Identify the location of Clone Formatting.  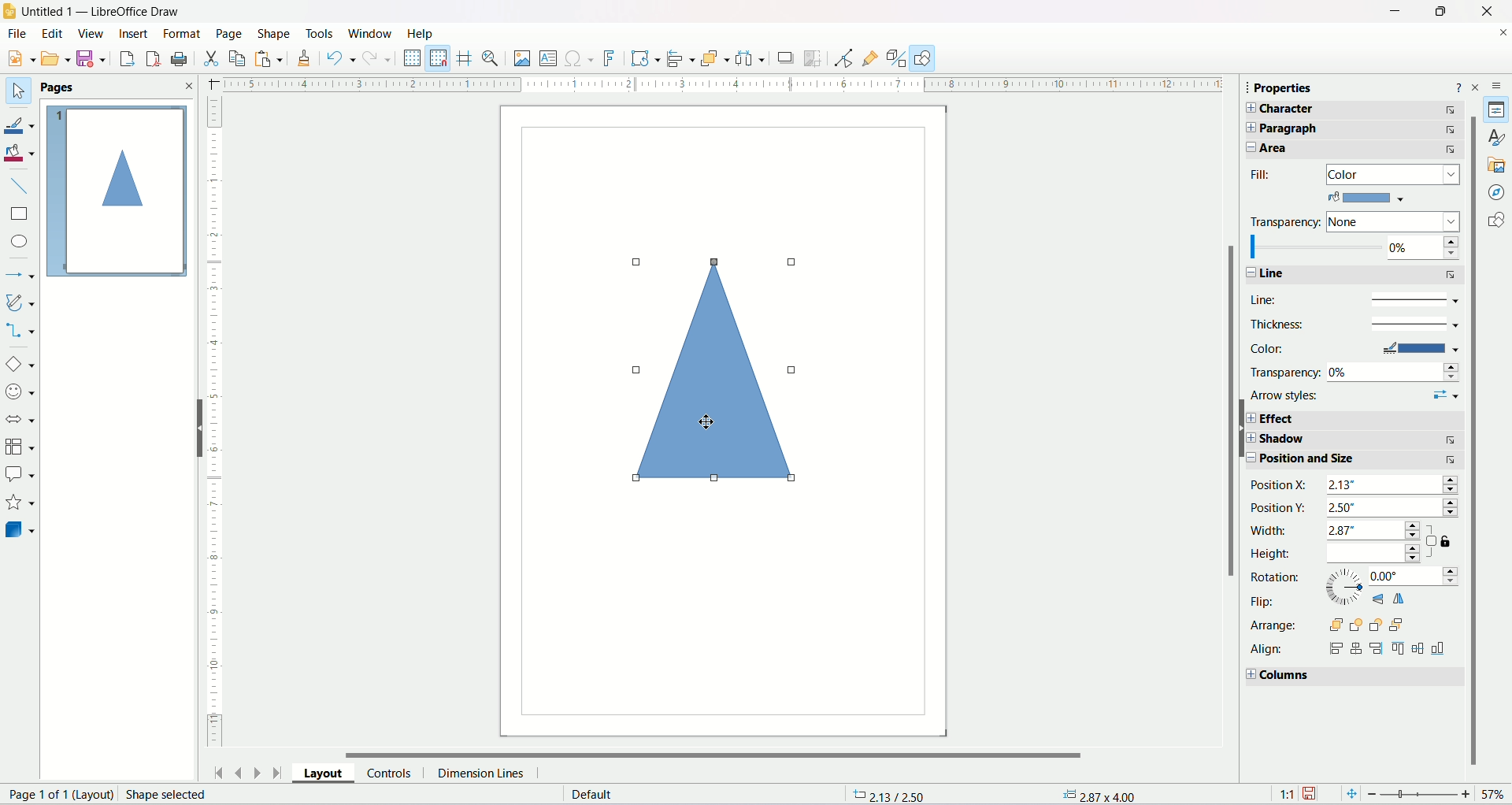
(306, 57).